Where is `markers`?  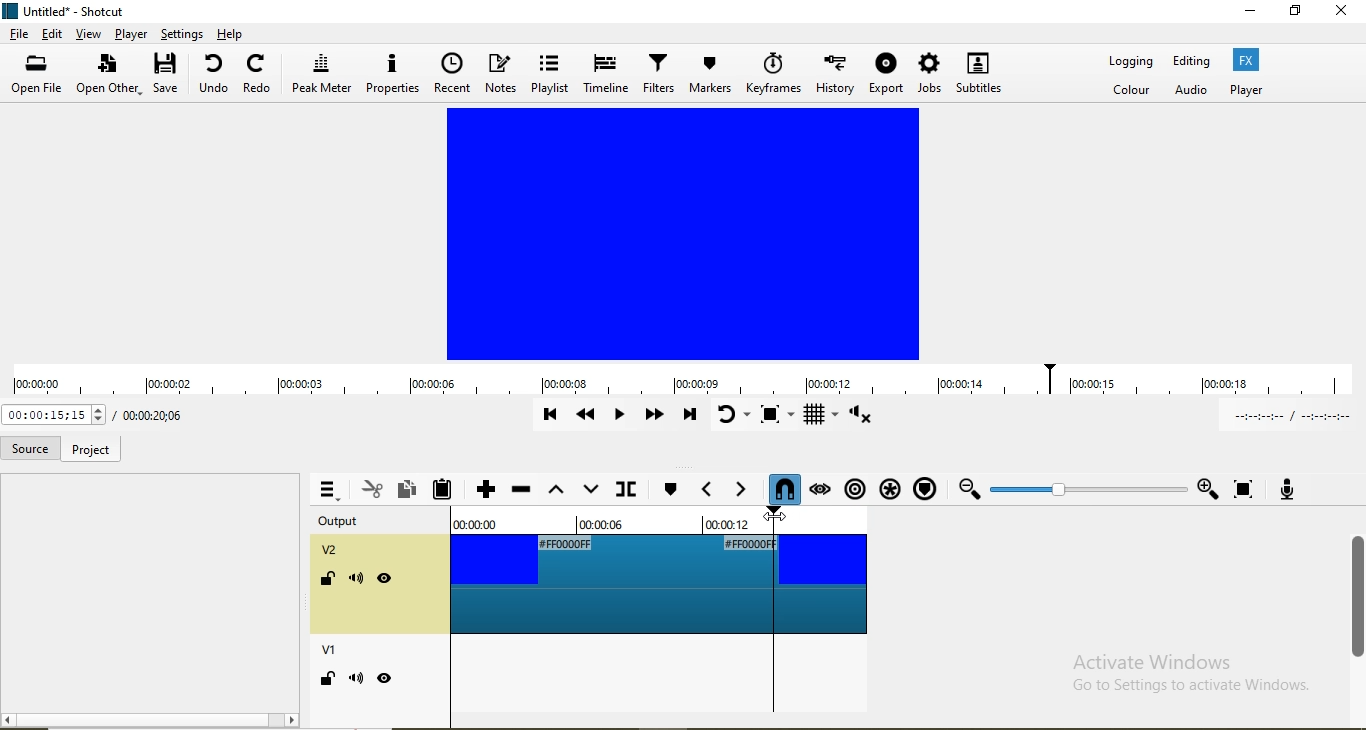
markers is located at coordinates (710, 74).